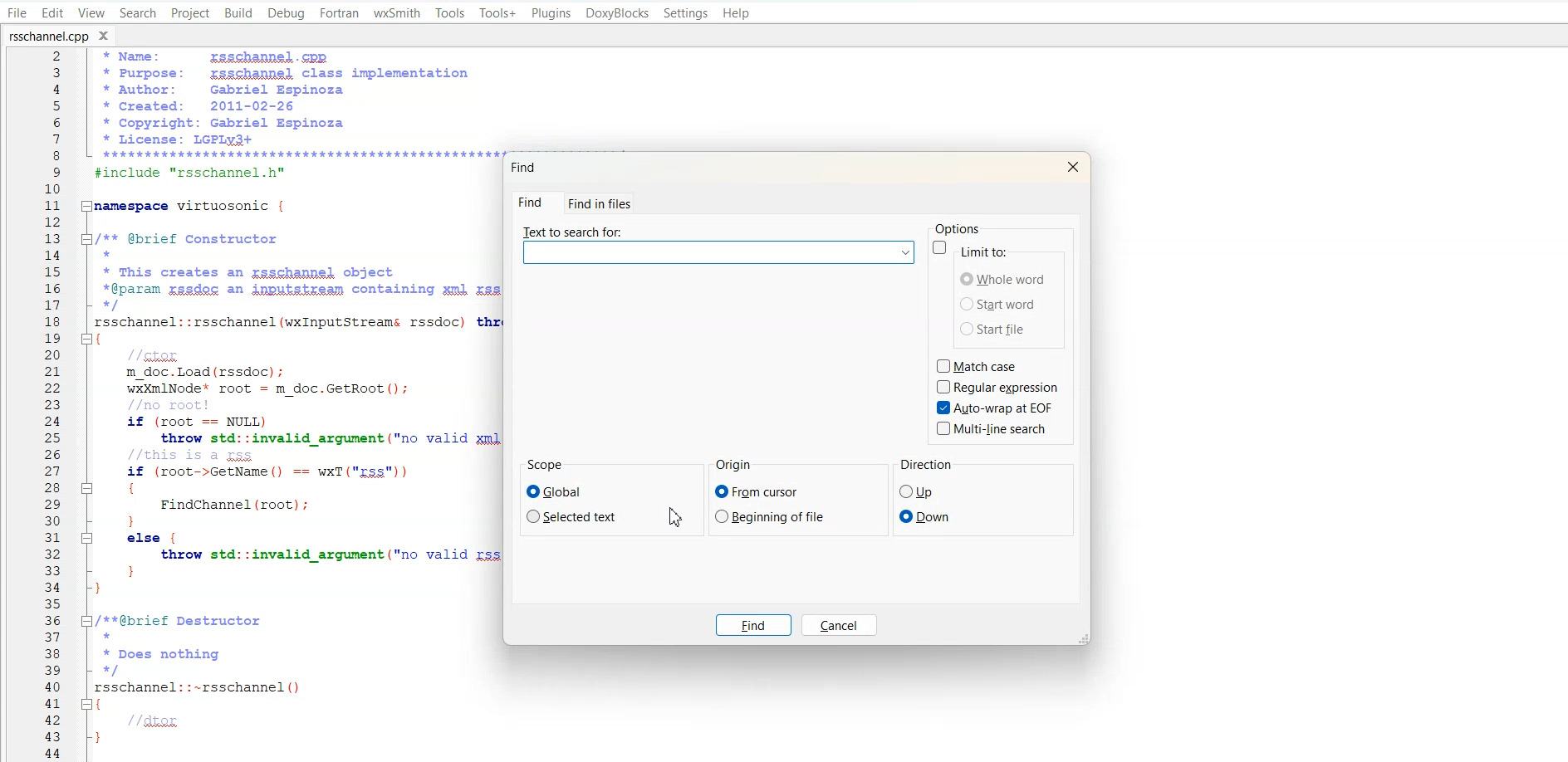  What do you see at coordinates (956, 228) in the screenshot?
I see `Options` at bounding box center [956, 228].